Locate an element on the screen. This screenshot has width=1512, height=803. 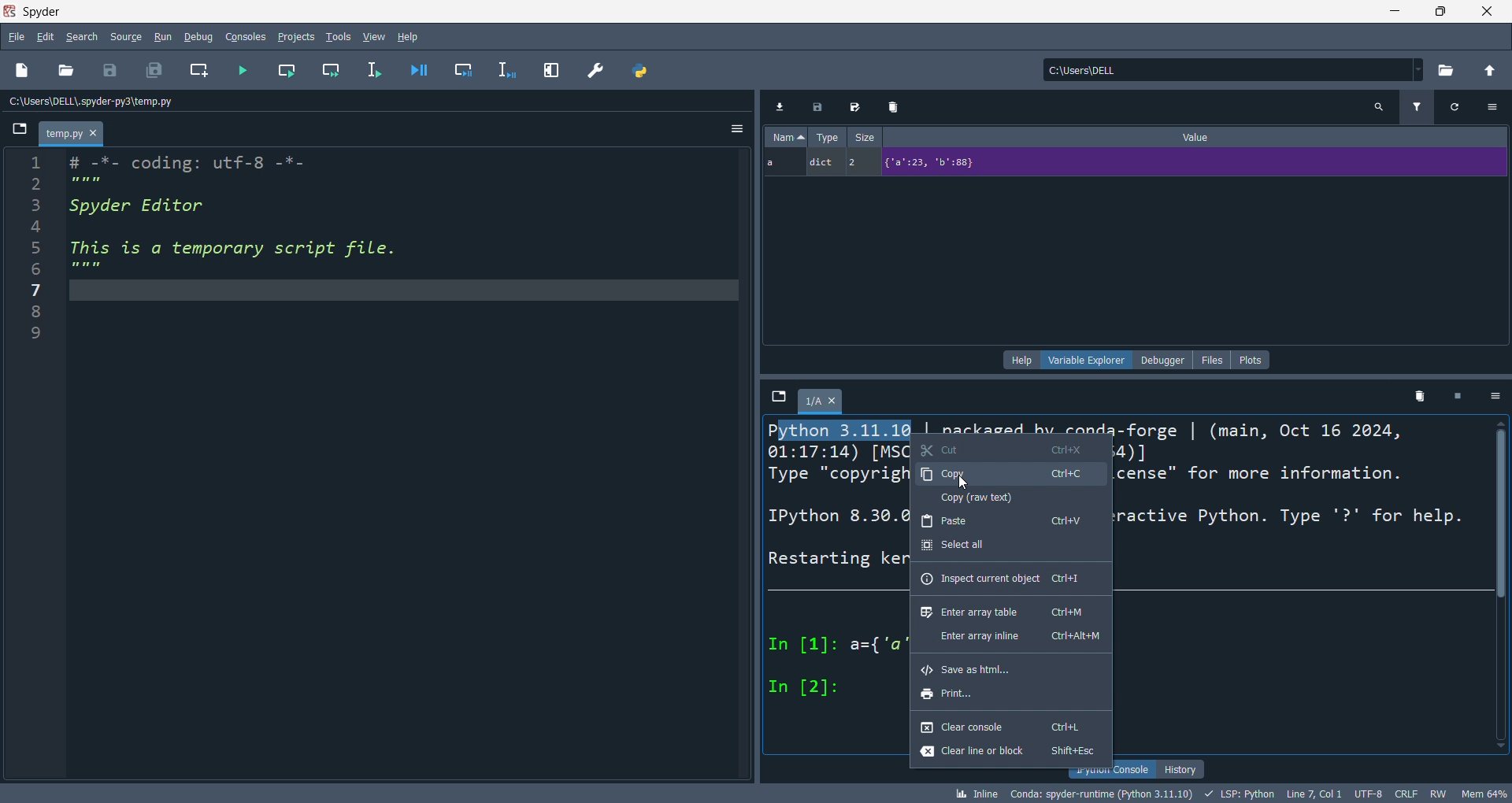
open current directory is located at coordinates (1450, 71).